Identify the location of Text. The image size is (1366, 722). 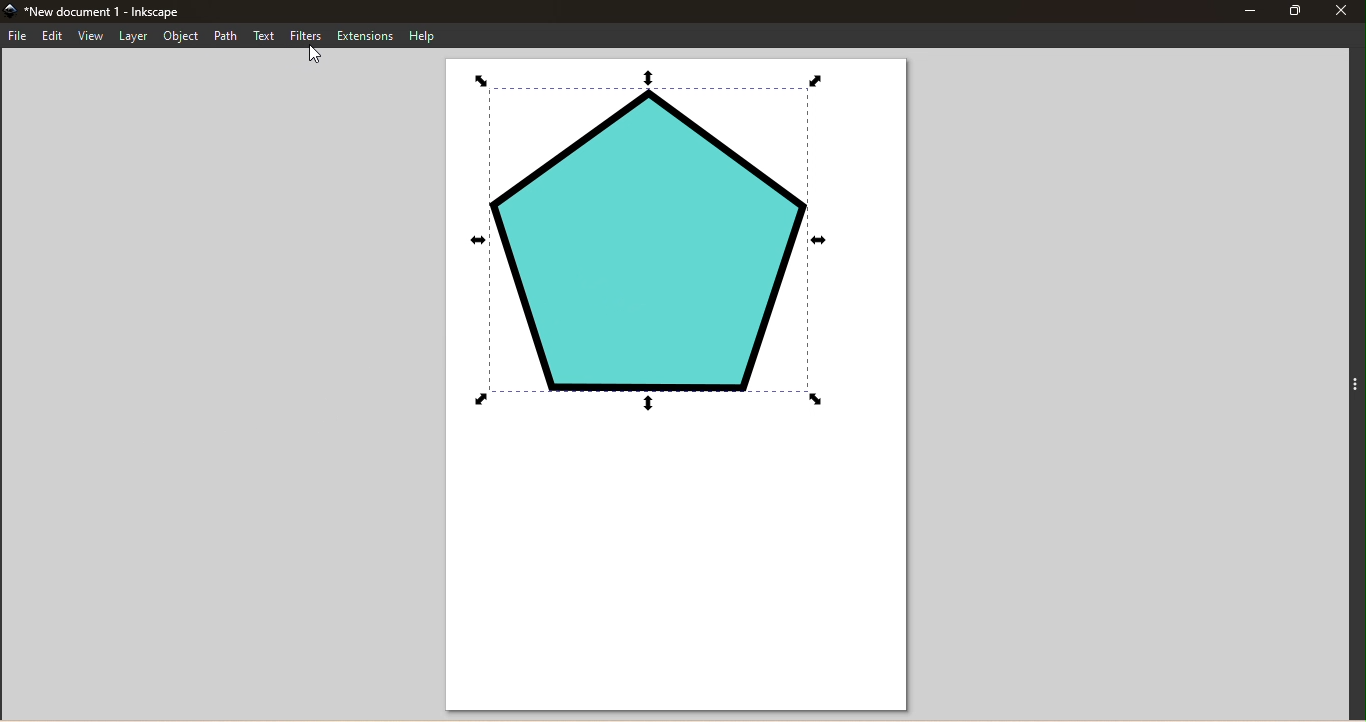
(265, 35).